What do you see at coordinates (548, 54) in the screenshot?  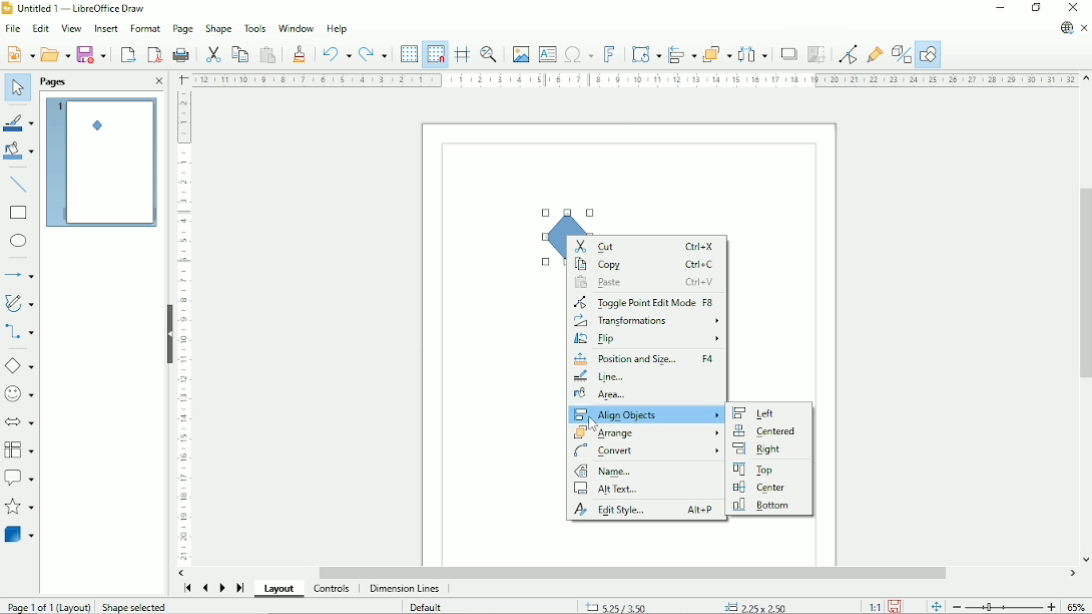 I see `Insert text box` at bounding box center [548, 54].